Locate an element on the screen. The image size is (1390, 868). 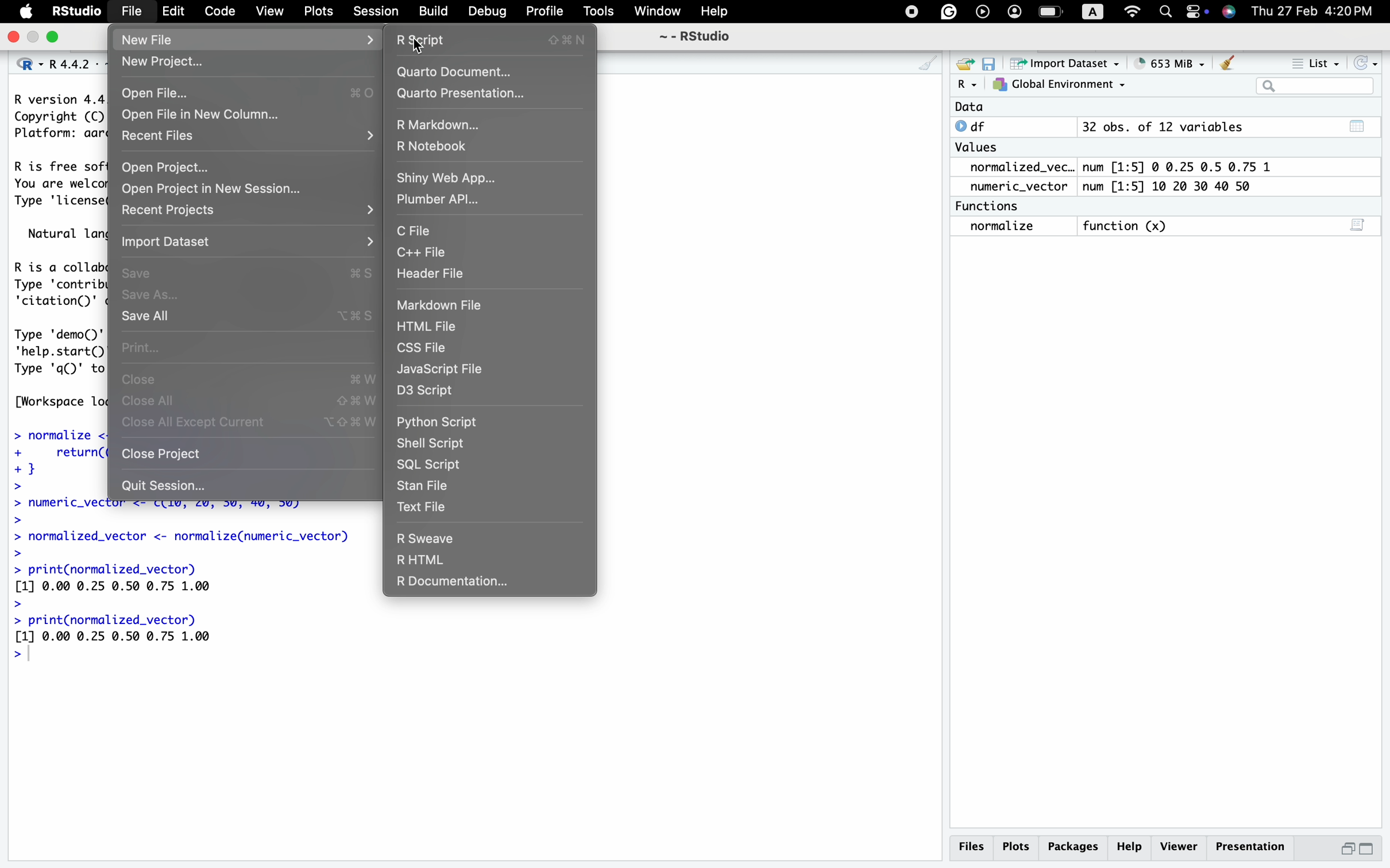
List is located at coordinates (1318, 65).